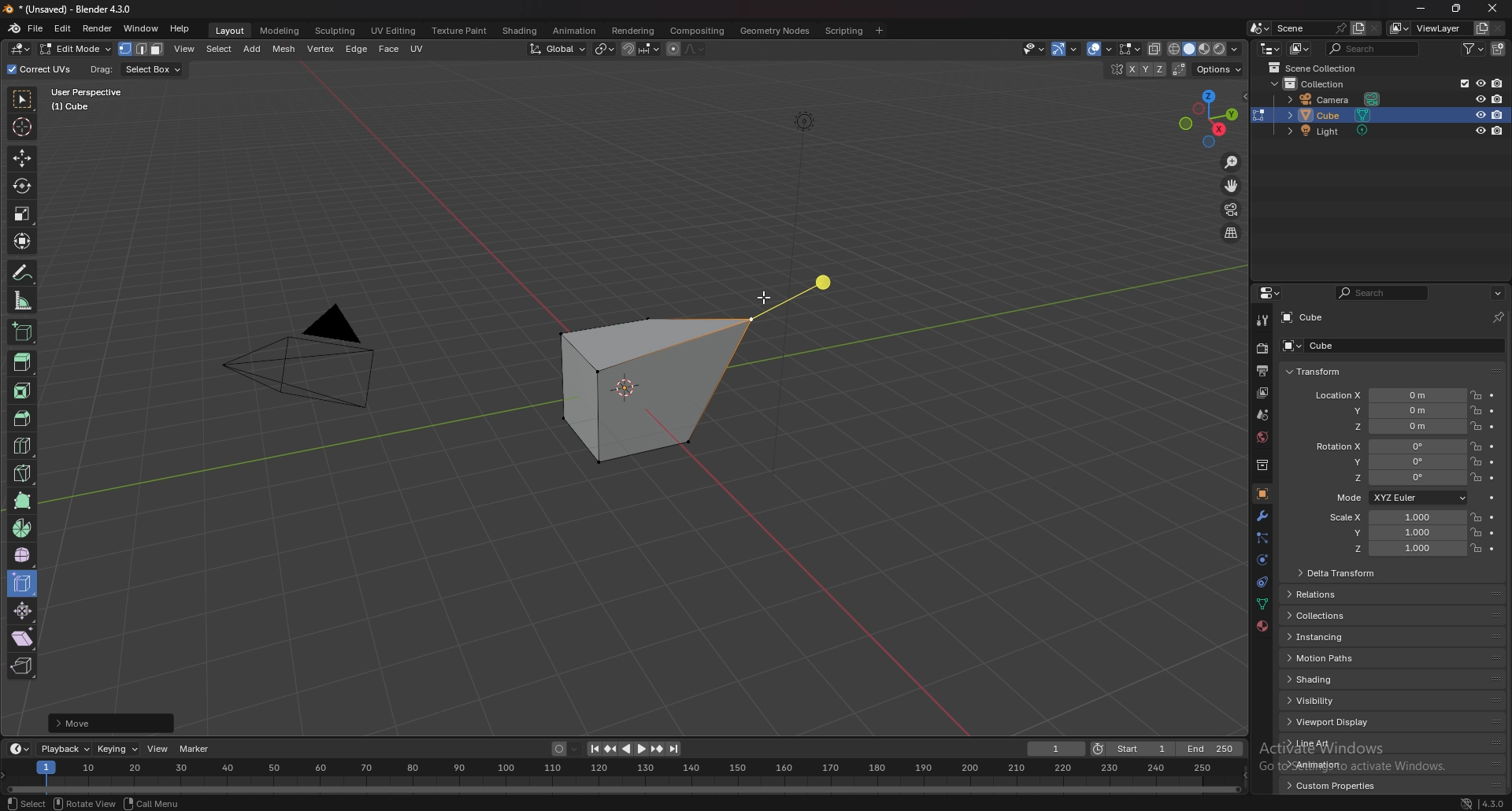 Image resolution: width=1512 pixels, height=811 pixels. What do you see at coordinates (1232, 184) in the screenshot?
I see `move` at bounding box center [1232, 184].